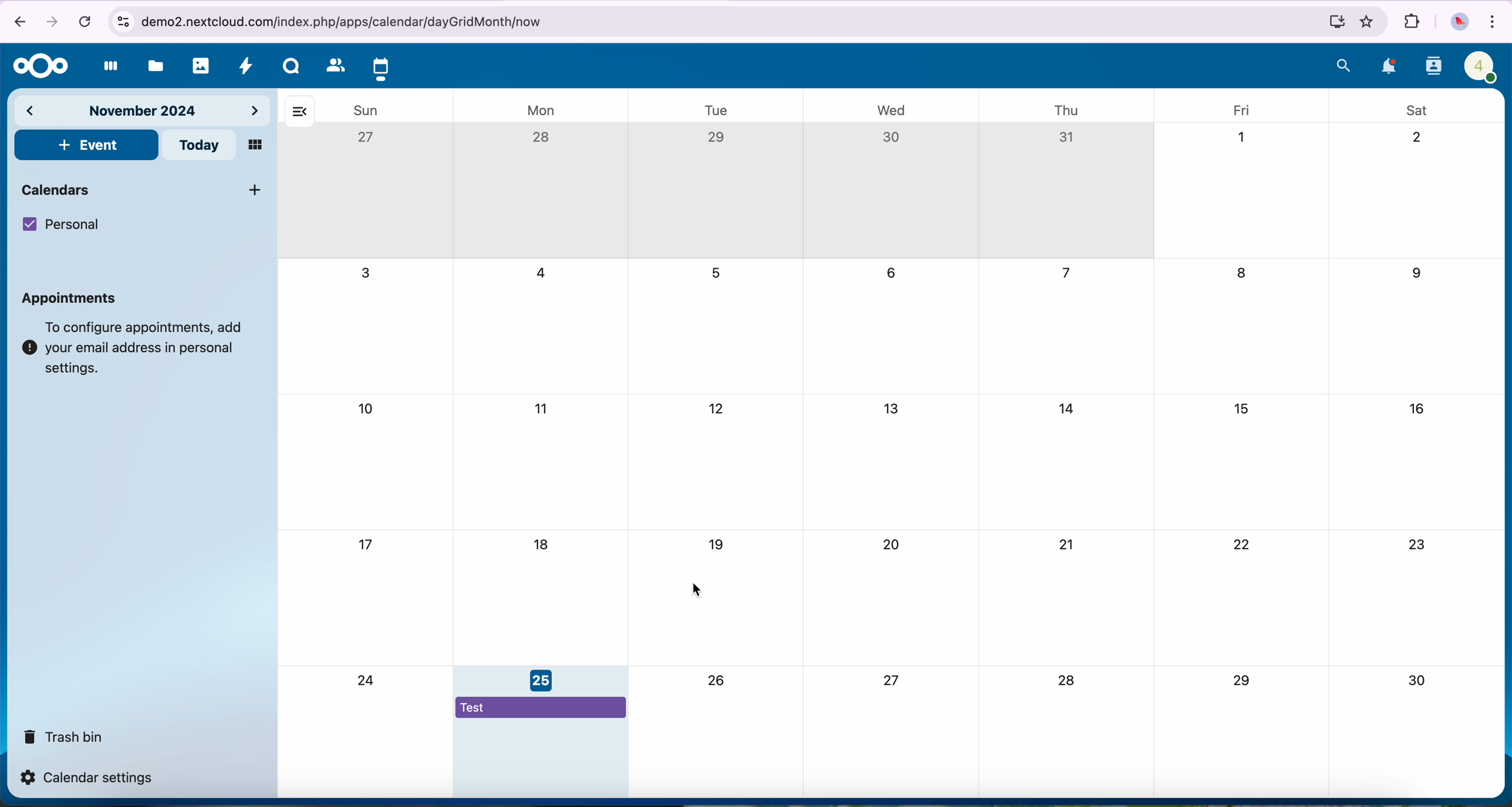 The height and width of the screenshot is (807, 1512). Describe the element at coordinates (1418, 138) in the screenshot. I see `2` at that location.